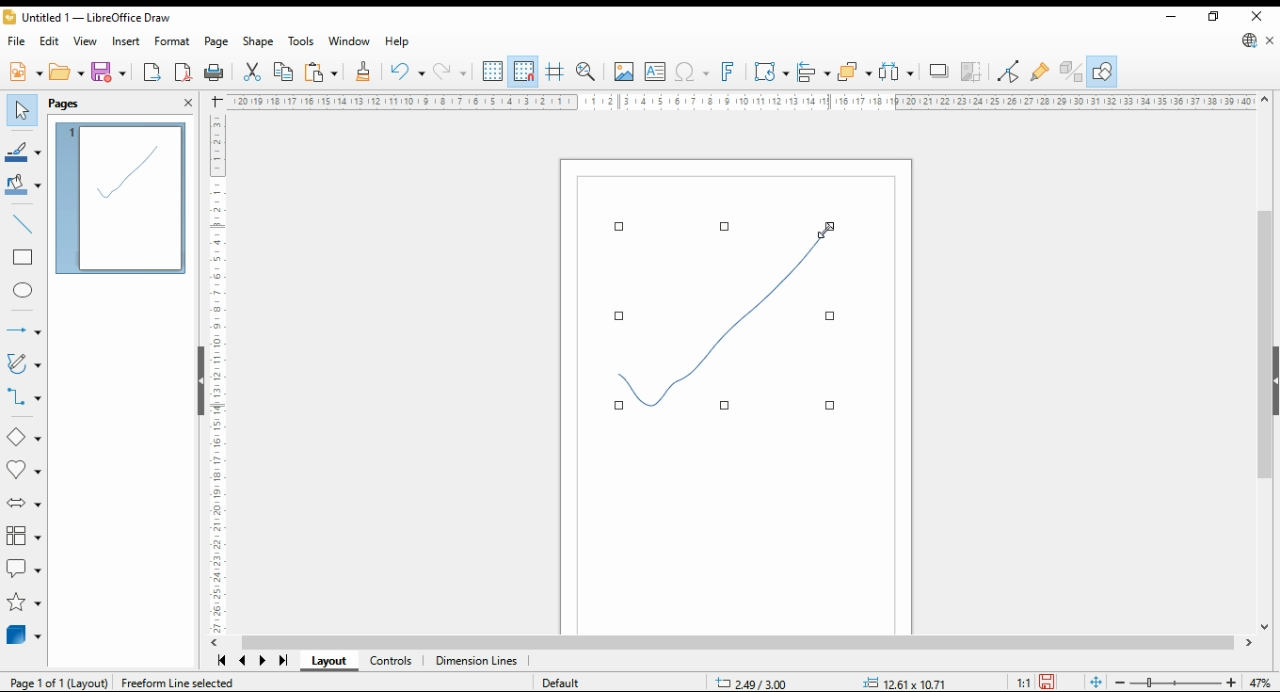 The image size is (1280, 692). I want to click on insert, so click(126, 40).